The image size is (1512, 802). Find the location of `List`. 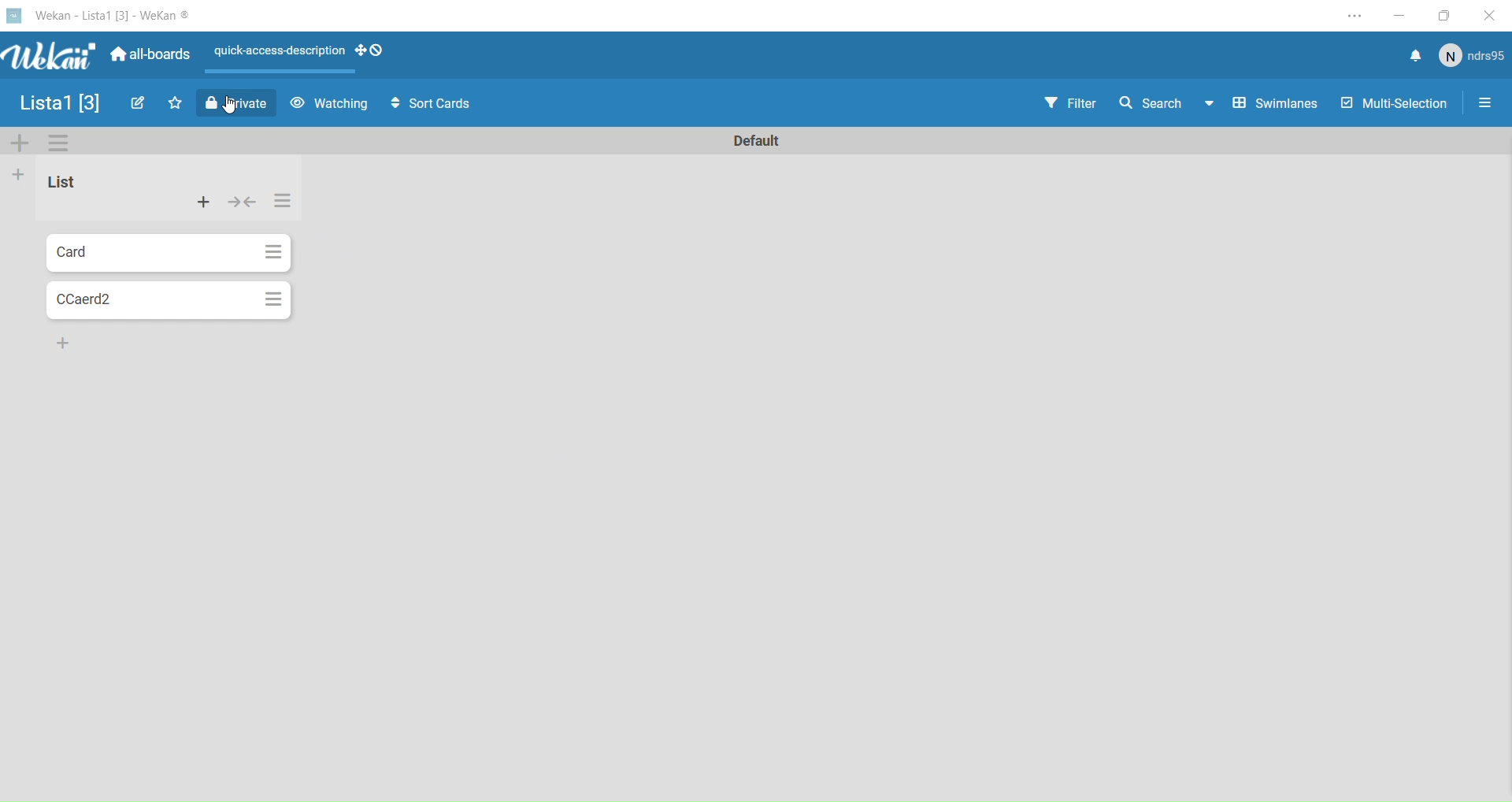

List is located at coordinates (76, 187).